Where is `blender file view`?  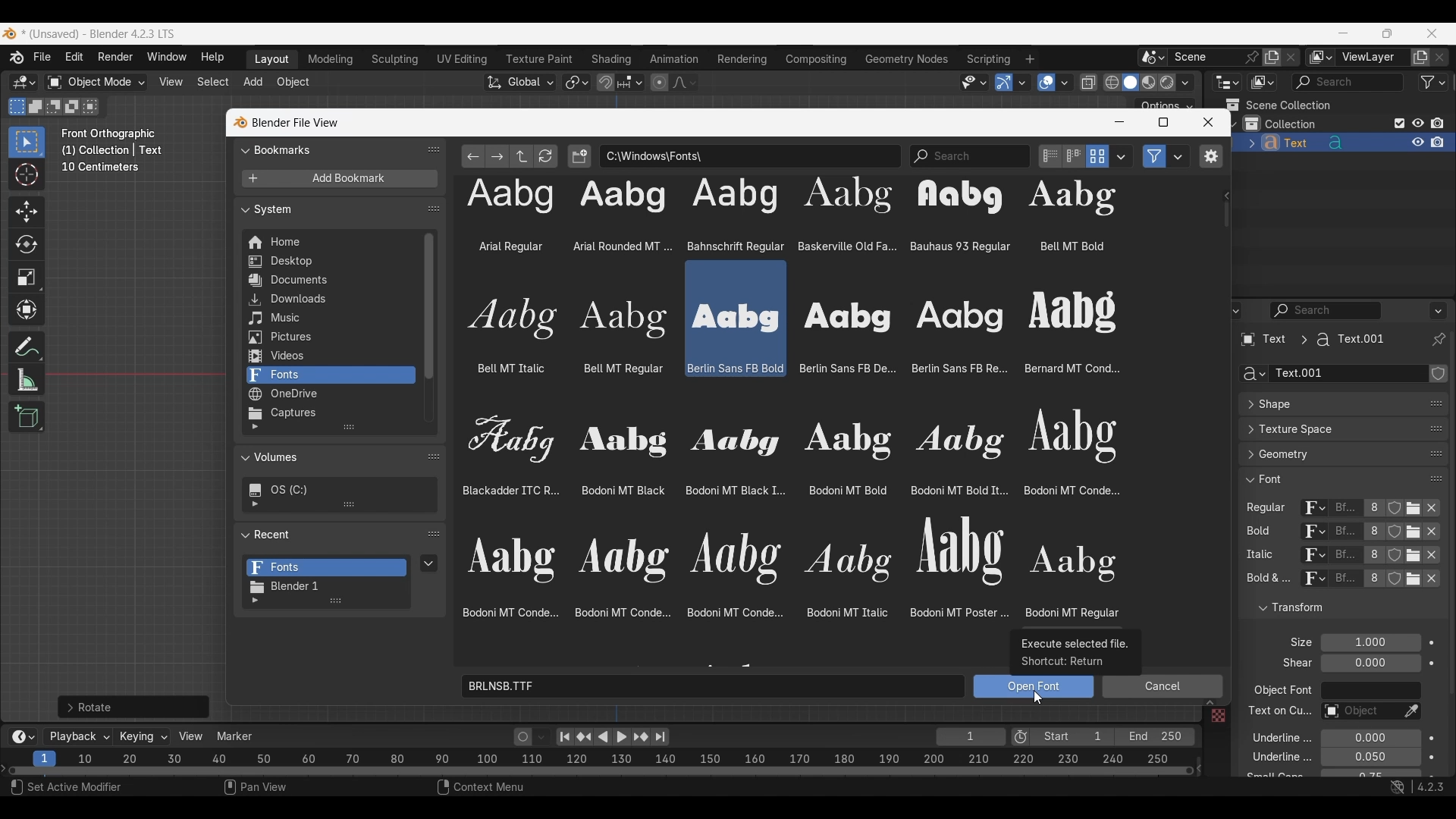 blender file view is located at coordinates (293, 122).